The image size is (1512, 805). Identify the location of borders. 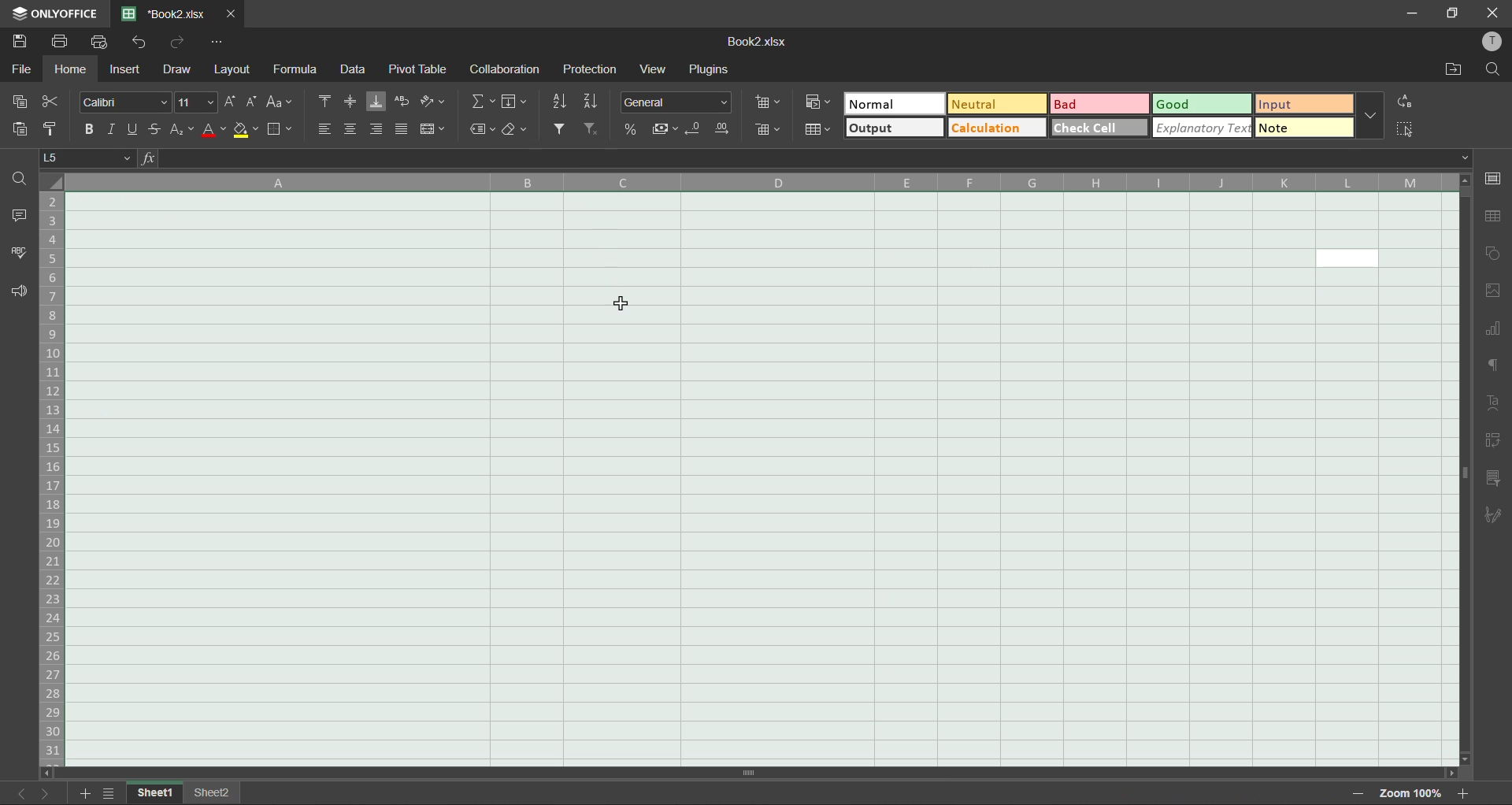
(280, 130).